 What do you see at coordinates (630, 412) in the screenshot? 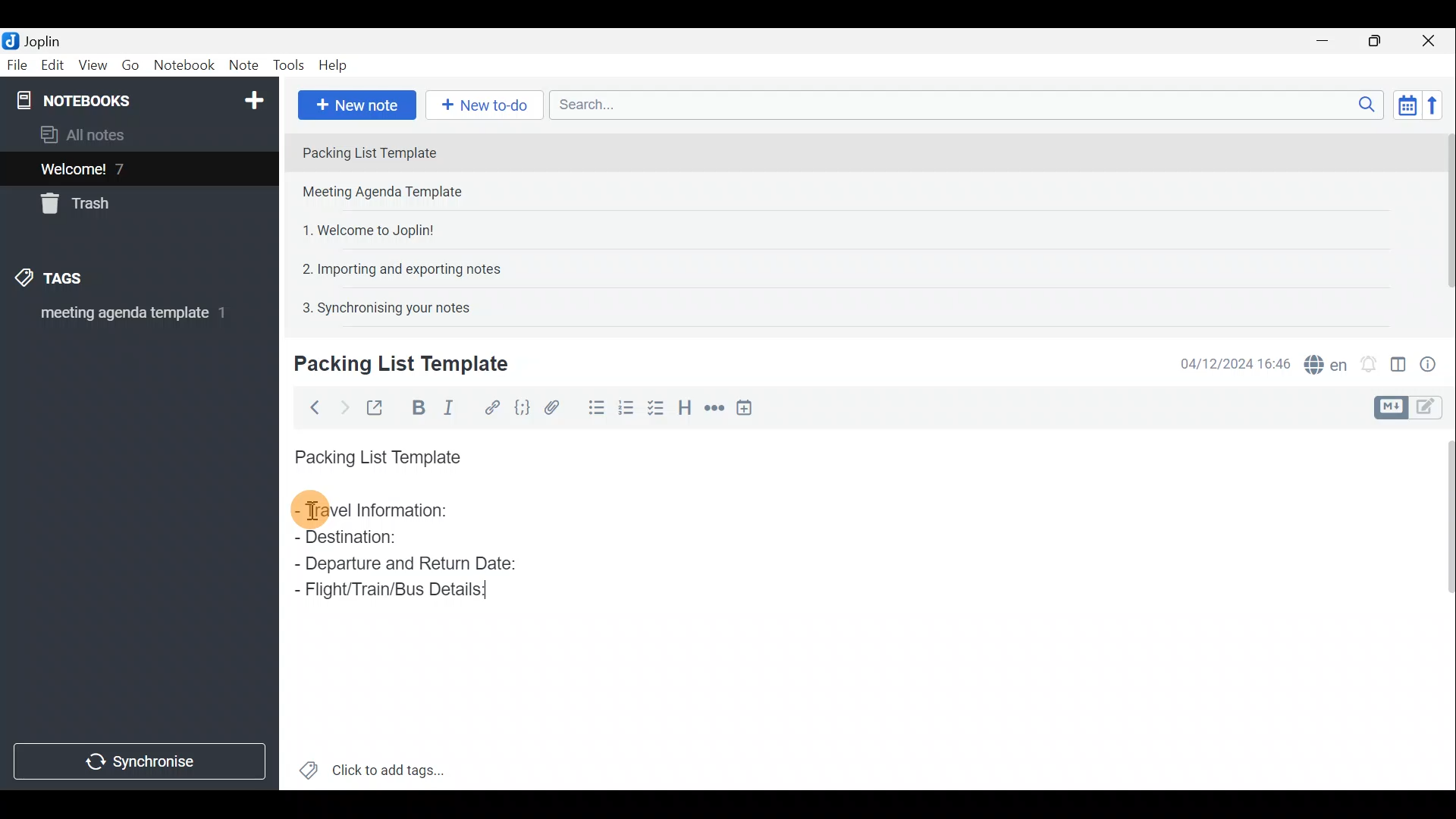
I see `Numbered list` at bounding box center [630, 412].